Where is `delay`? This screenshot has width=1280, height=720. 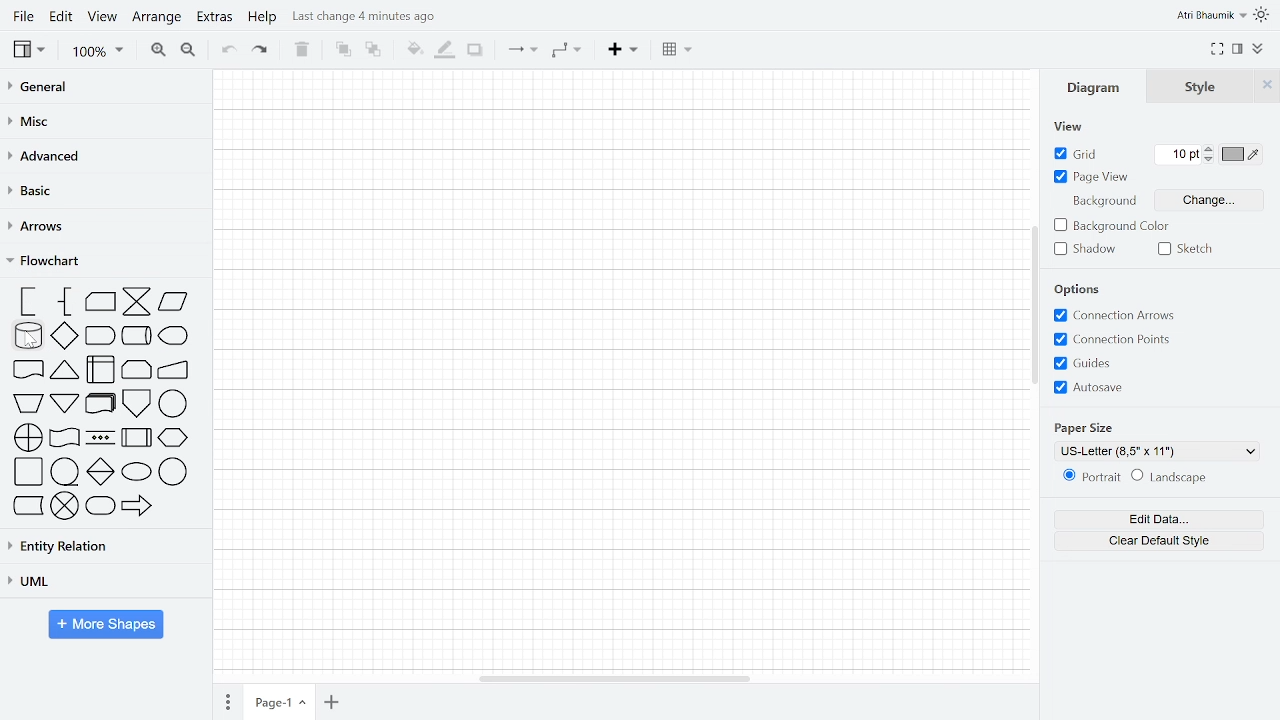 delay is located at coordinates (101, 336).